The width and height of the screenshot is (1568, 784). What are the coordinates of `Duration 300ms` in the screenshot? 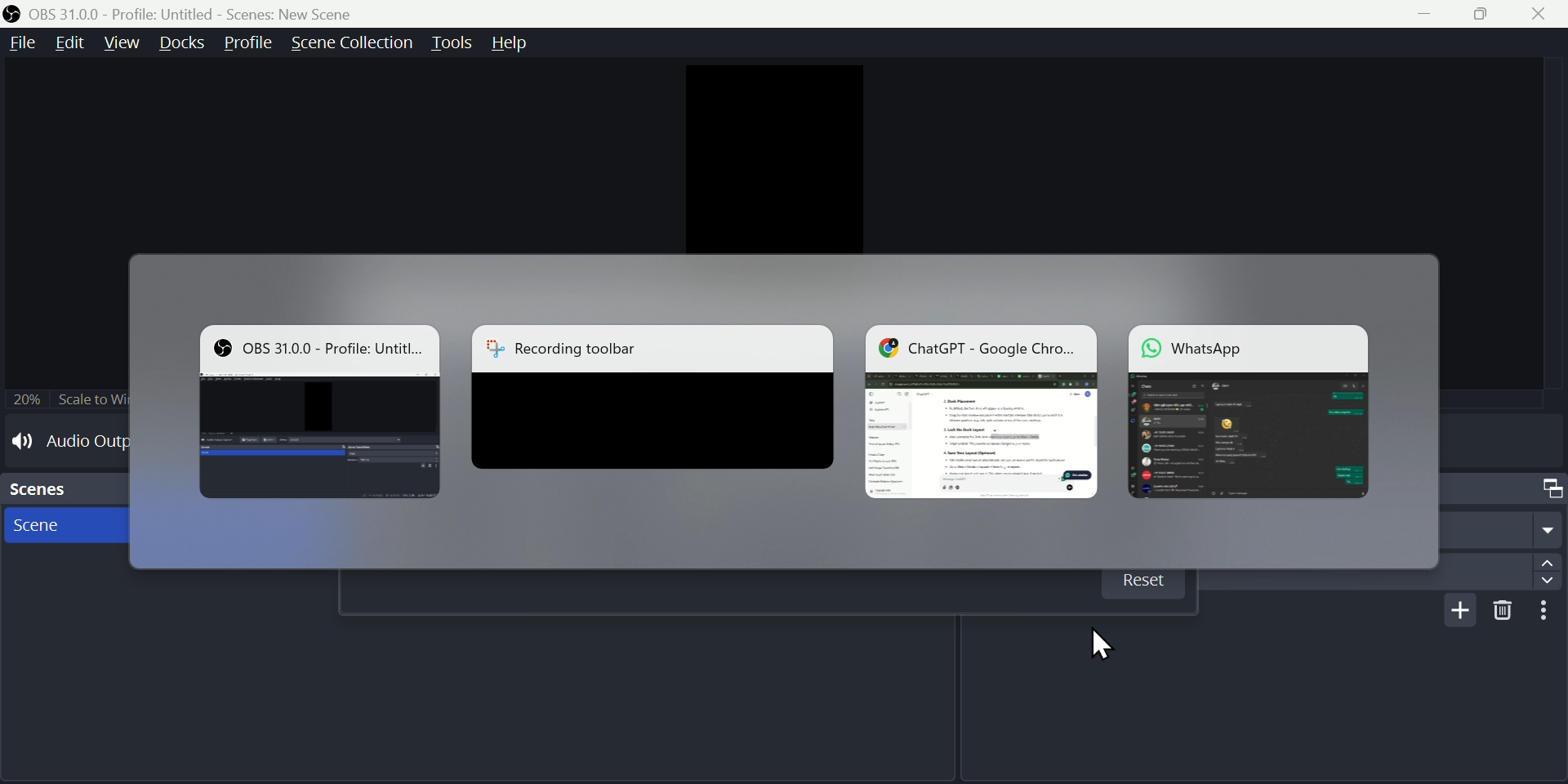 It's located at (1504, 570).